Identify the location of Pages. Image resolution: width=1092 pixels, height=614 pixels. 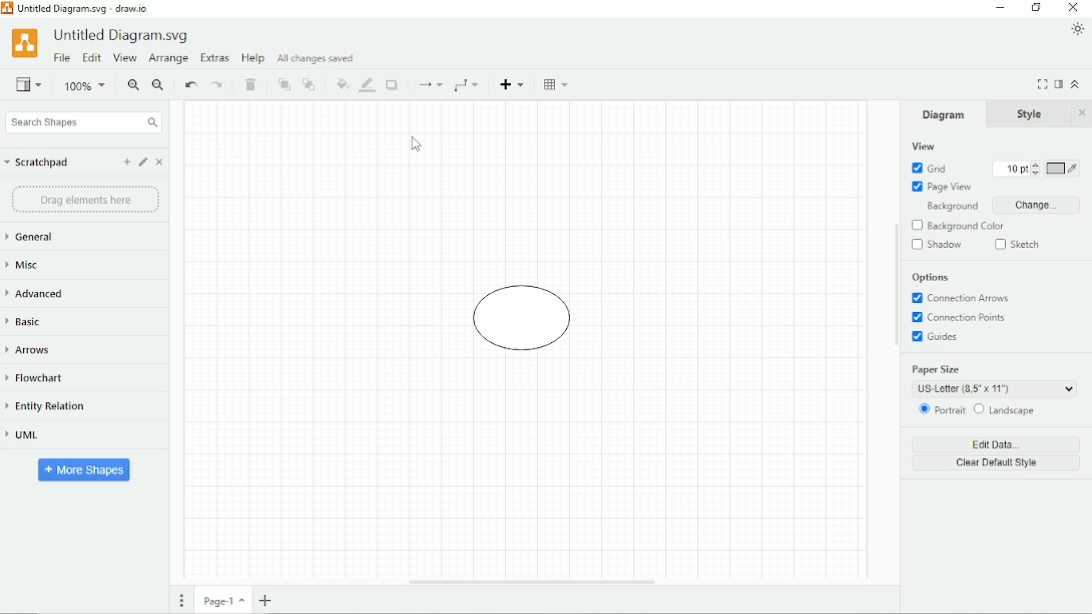
(182, 602).